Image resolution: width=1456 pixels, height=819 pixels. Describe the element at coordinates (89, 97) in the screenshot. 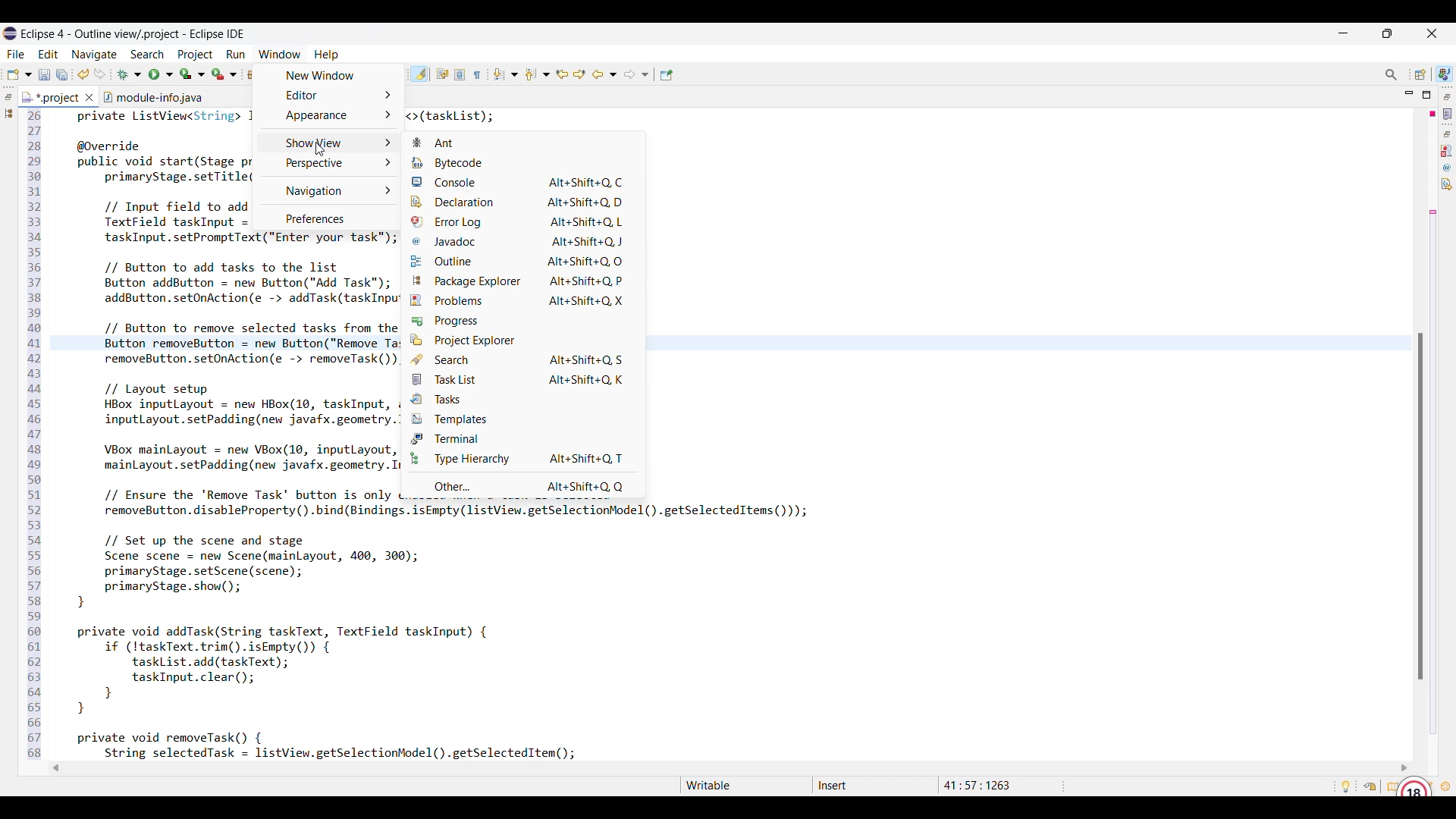

I see `Close tab` at that location.